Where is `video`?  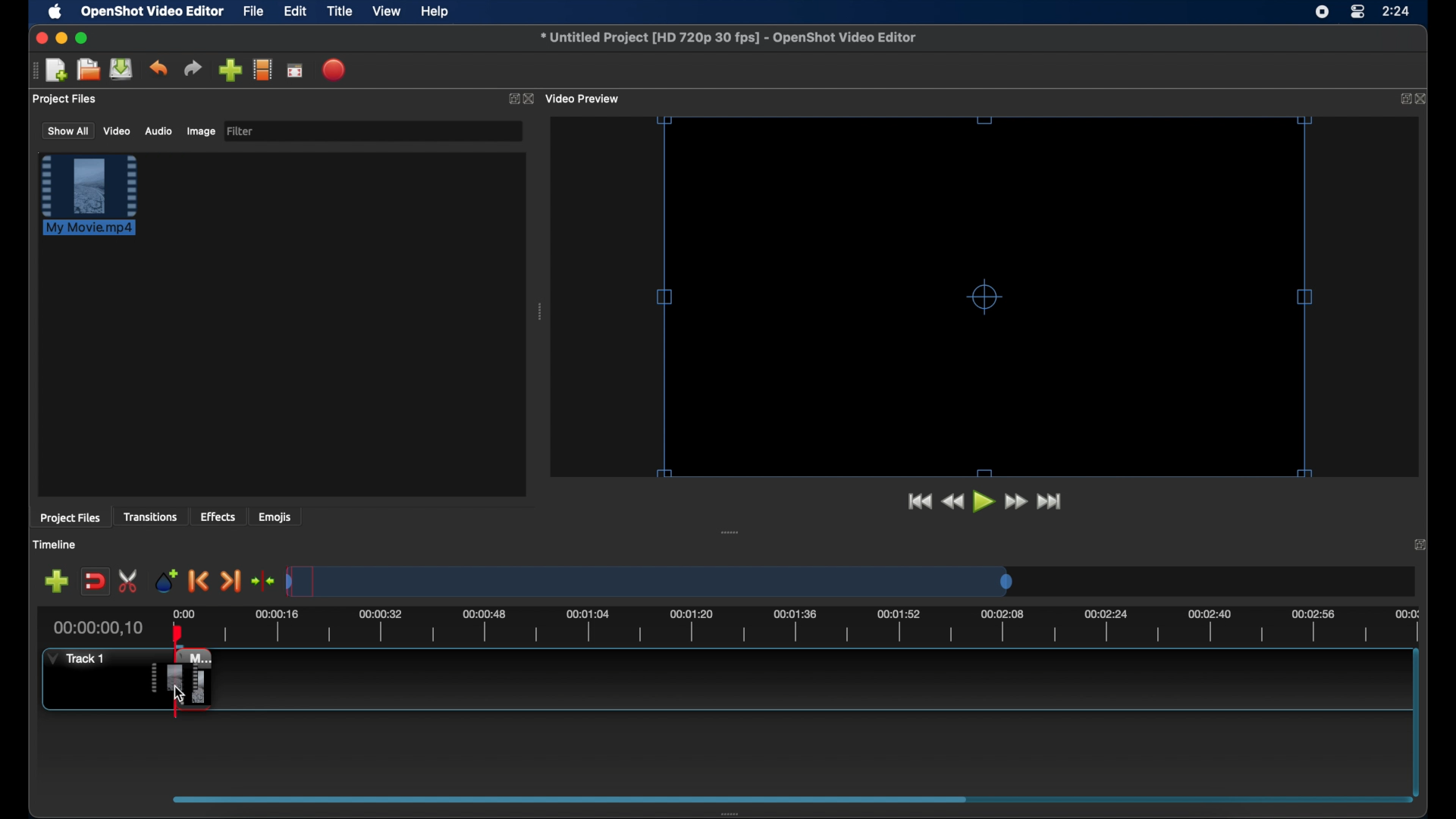 video is located at coordinates (117, 131).